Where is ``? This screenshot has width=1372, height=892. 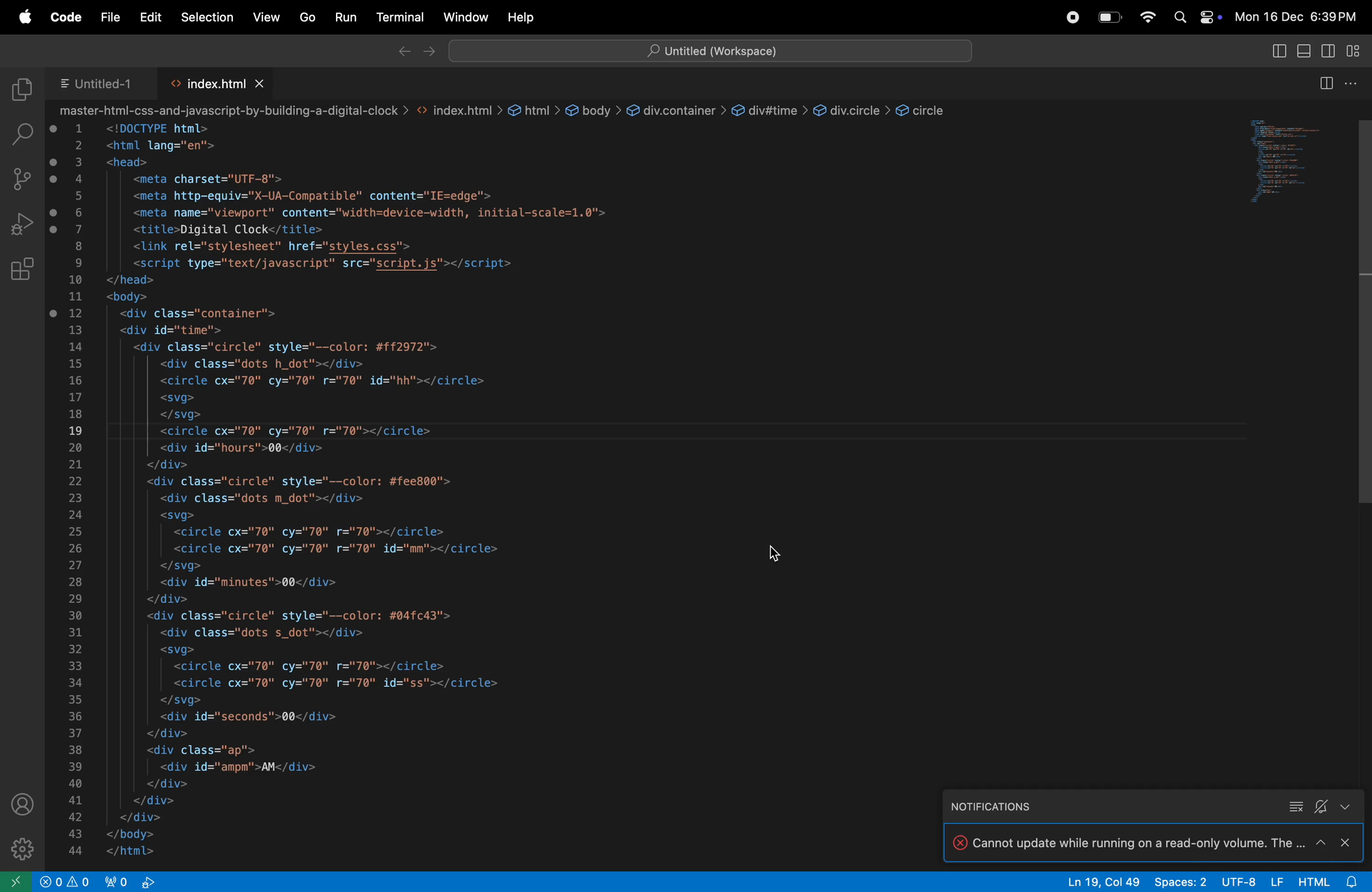  is located at coordinates (16, 880).